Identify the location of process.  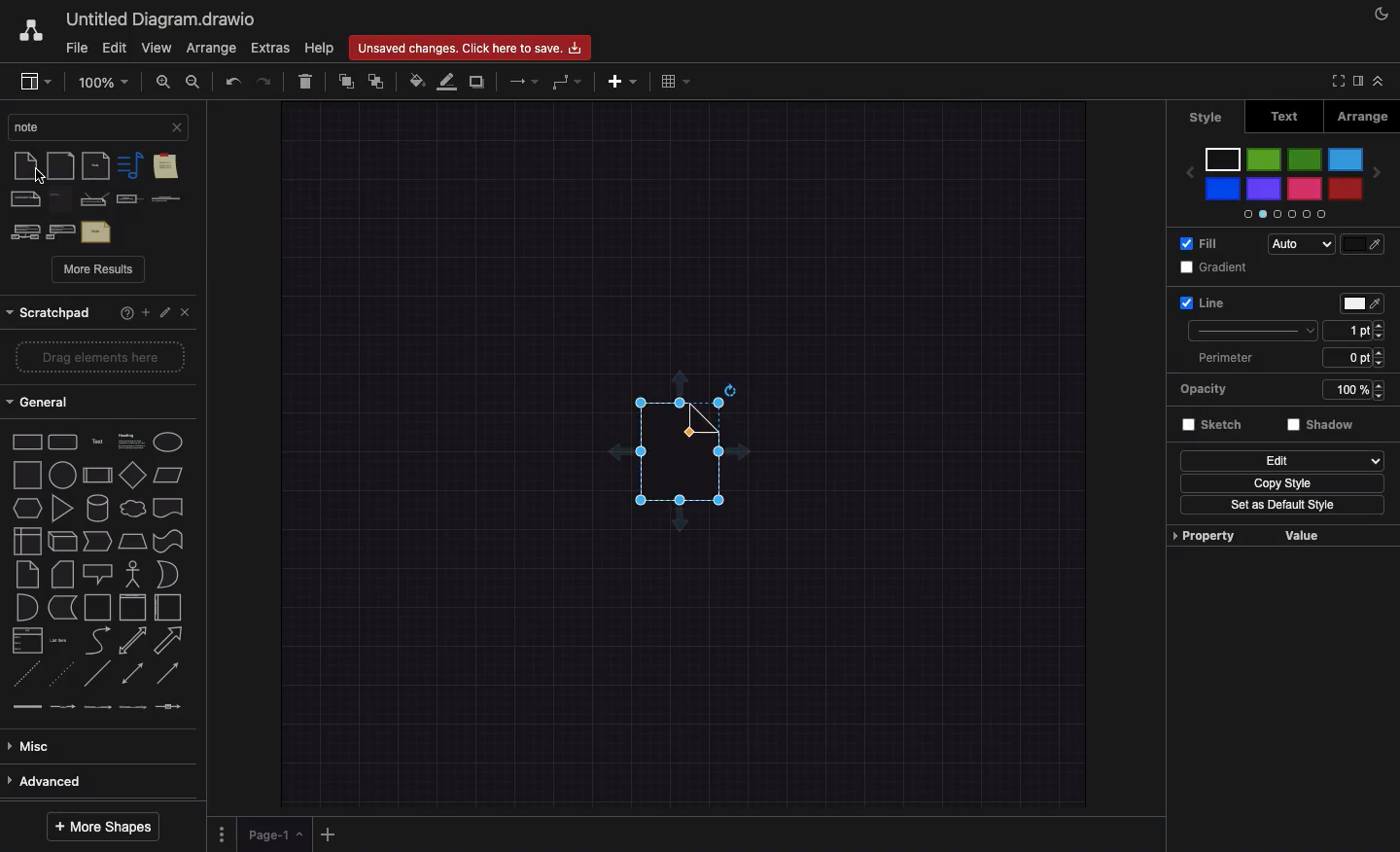
(63, 475).